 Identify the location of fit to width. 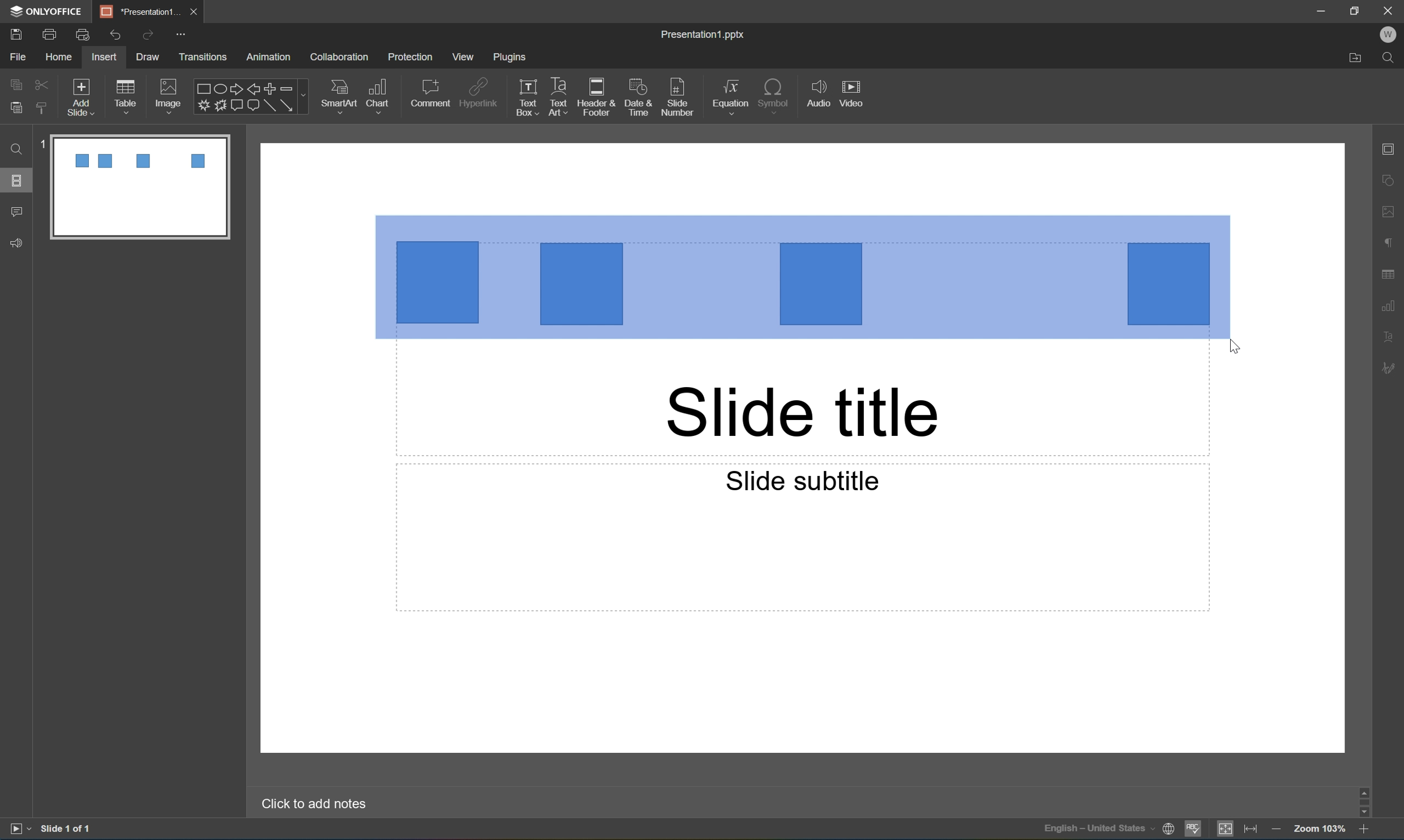
(1251, 831).